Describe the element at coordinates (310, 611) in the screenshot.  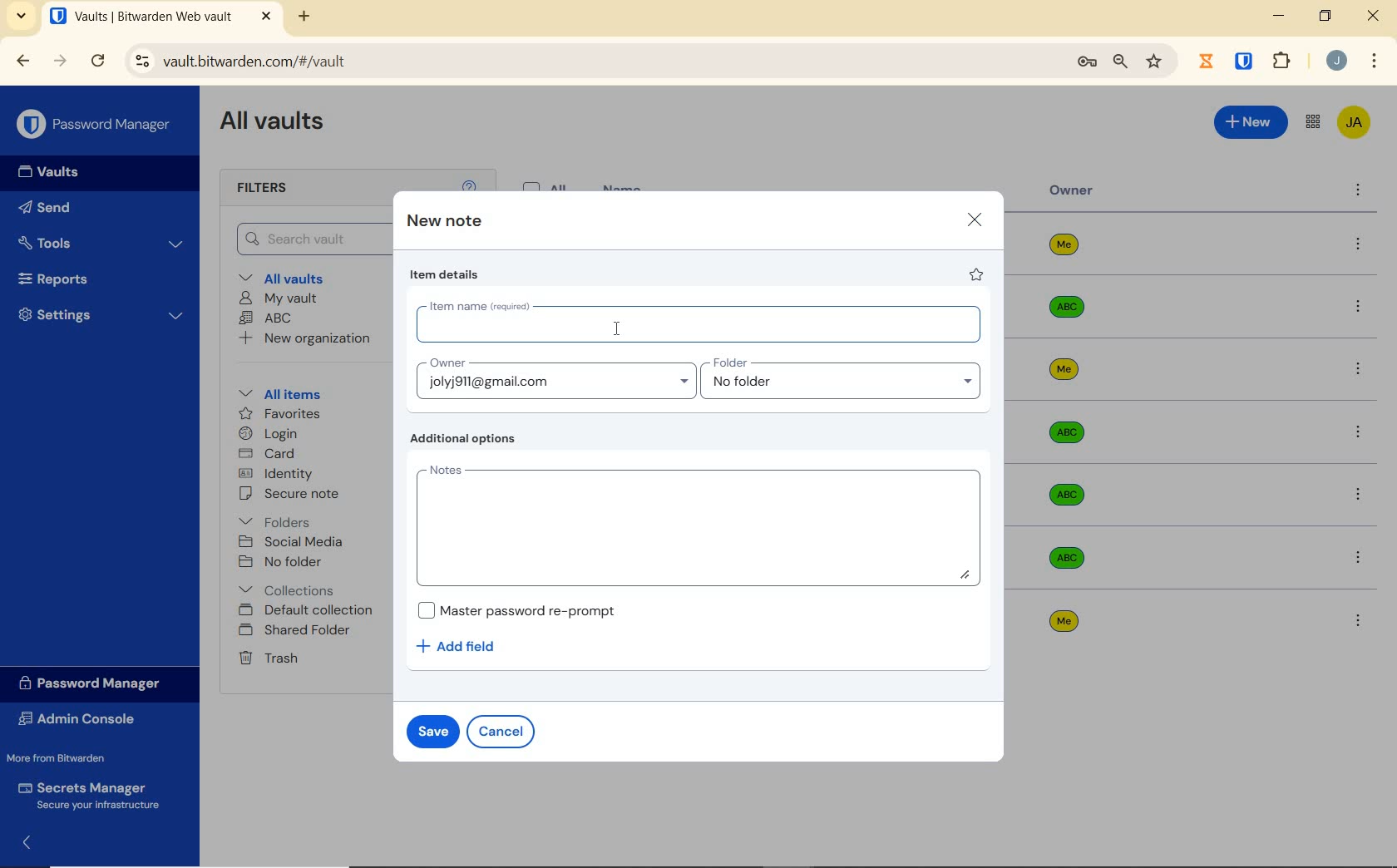
I see `Default collection` at that location.